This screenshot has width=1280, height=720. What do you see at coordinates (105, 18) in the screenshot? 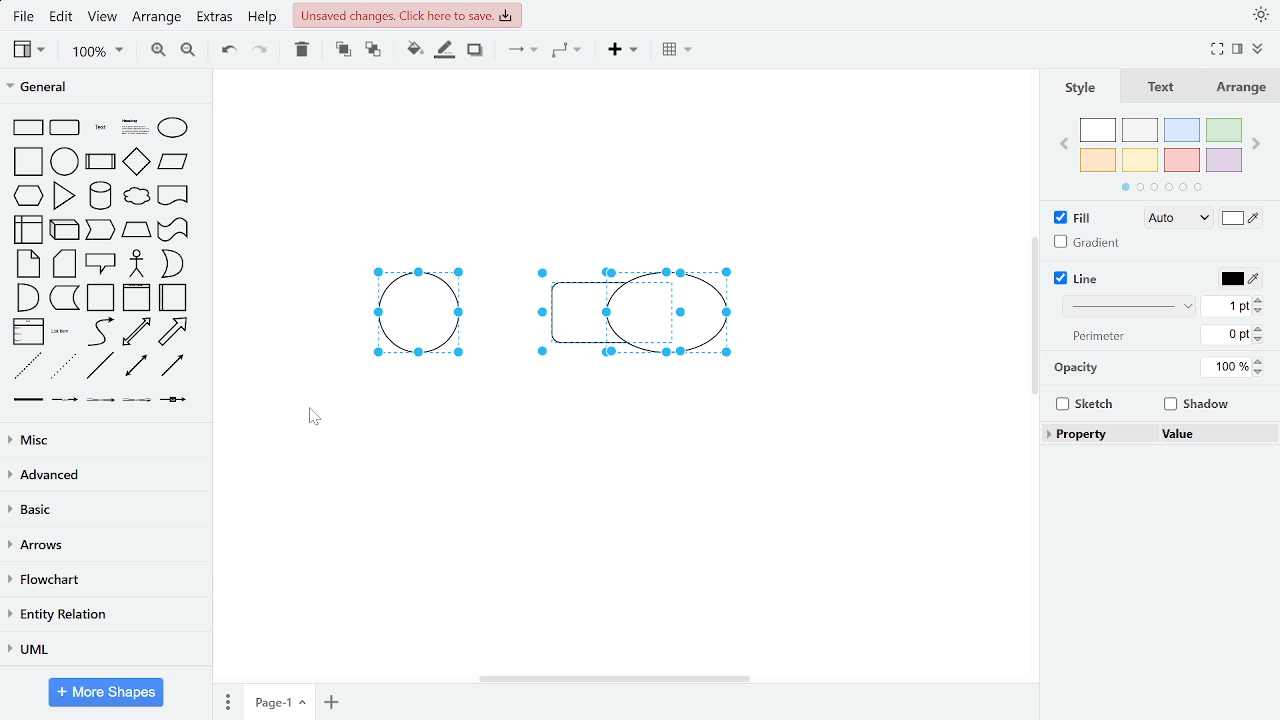
I see `view` at bounding box center [105, 18].